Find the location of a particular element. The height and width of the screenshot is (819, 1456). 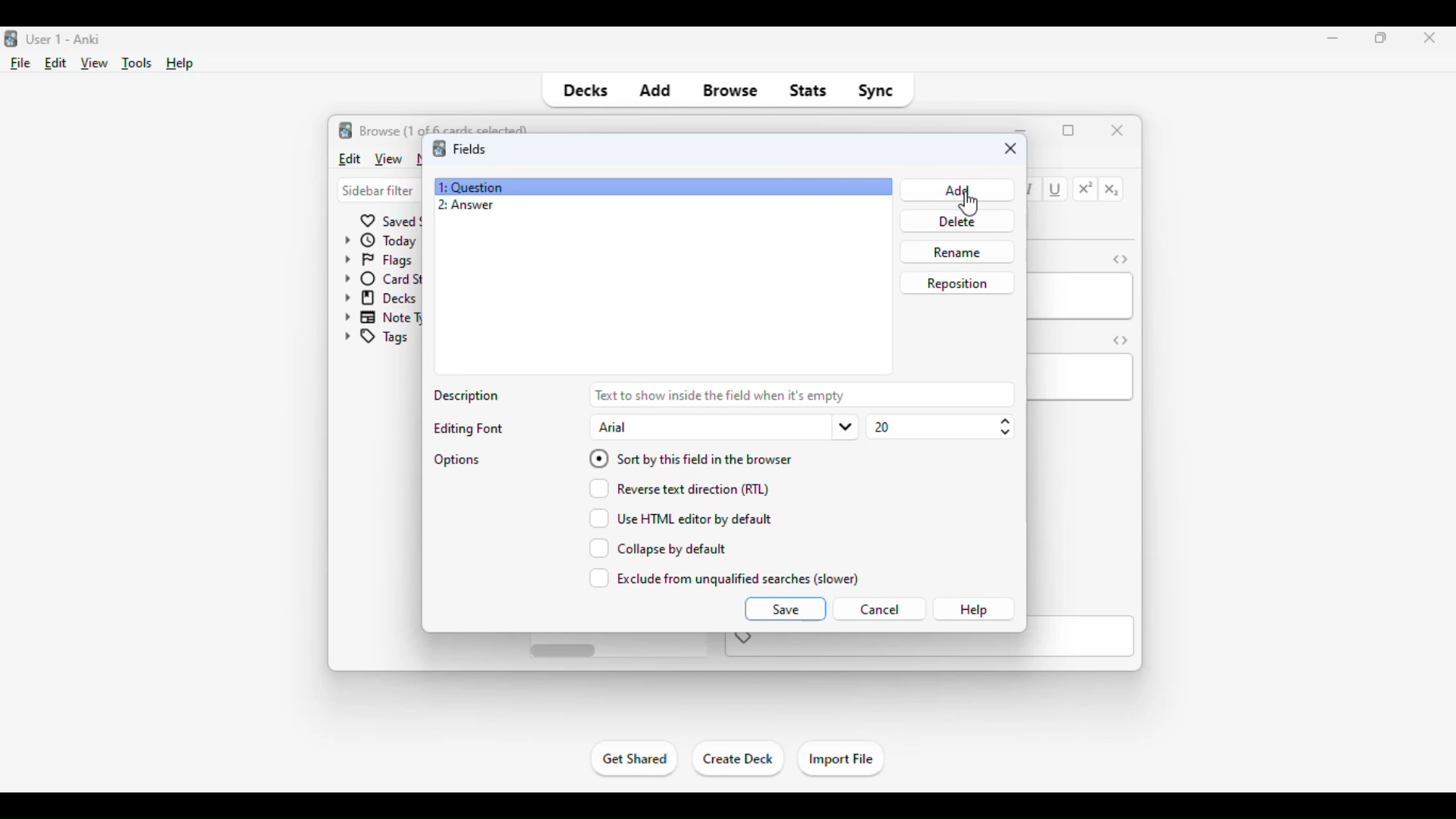

editing font is located at coordinates (466, 428).